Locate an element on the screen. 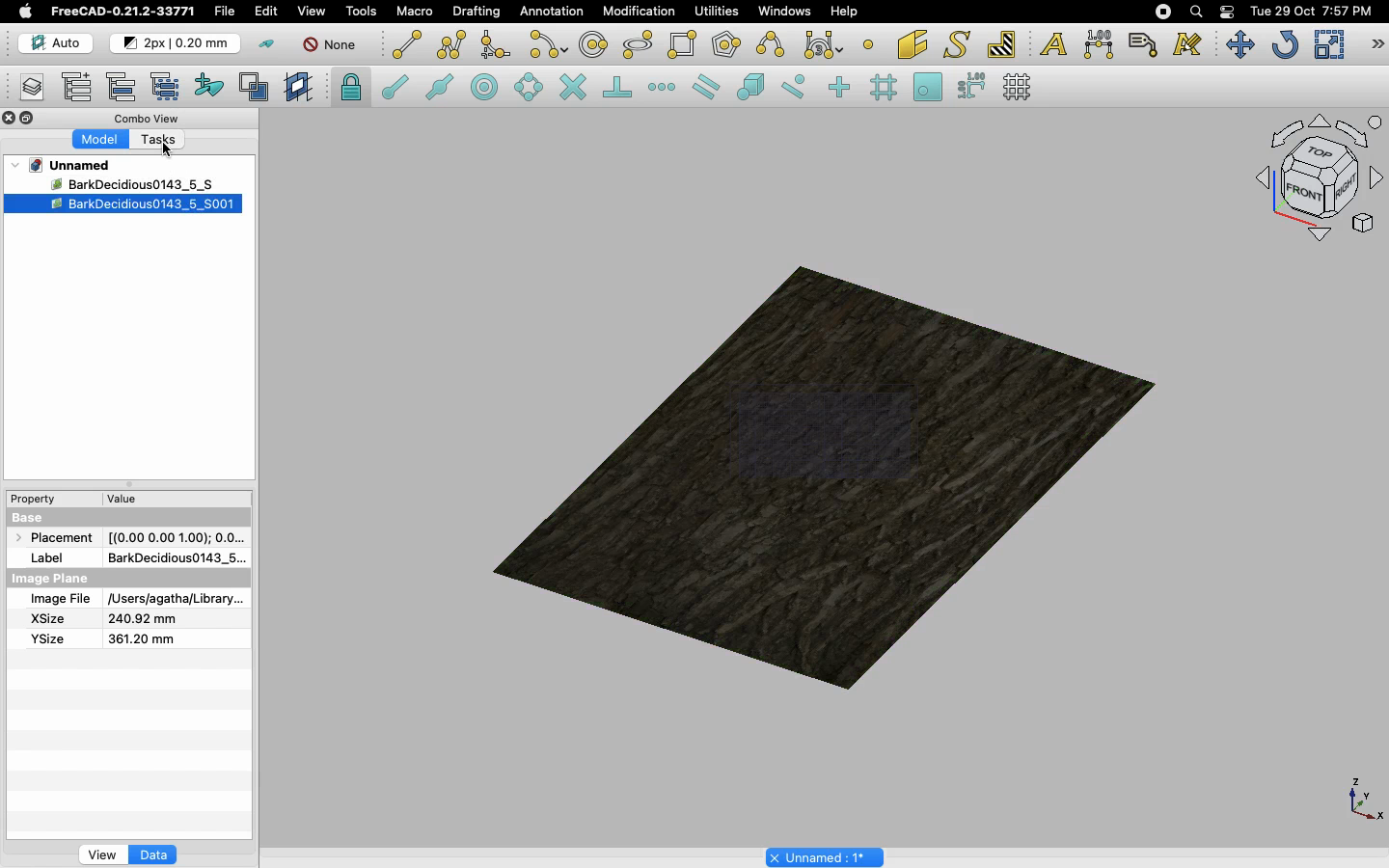 Image resolution: width=1389 pixels, height=868 pixels. Selecting edit is located at coordinates (270, 13).